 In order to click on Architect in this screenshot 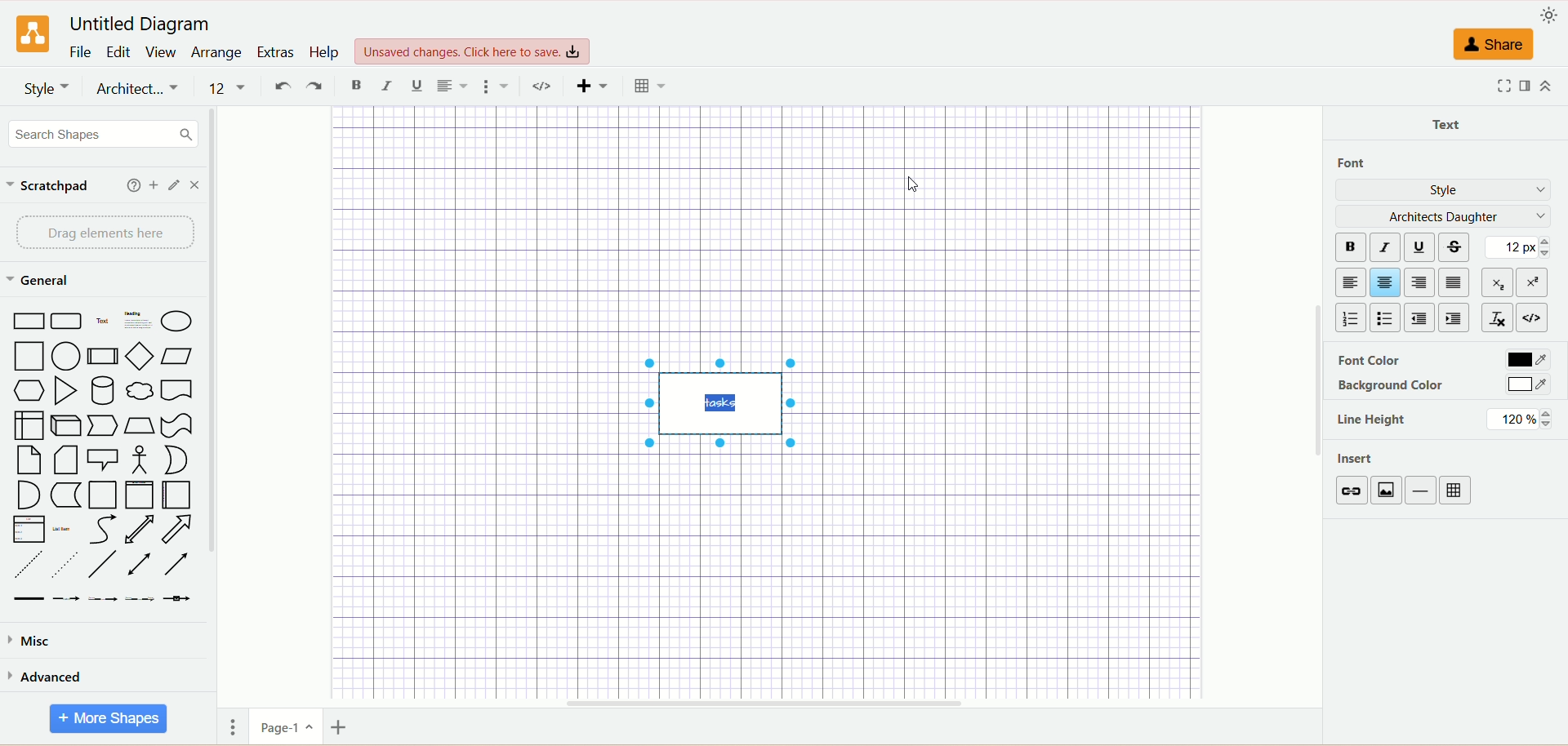, I will do `click(138, 90)`.